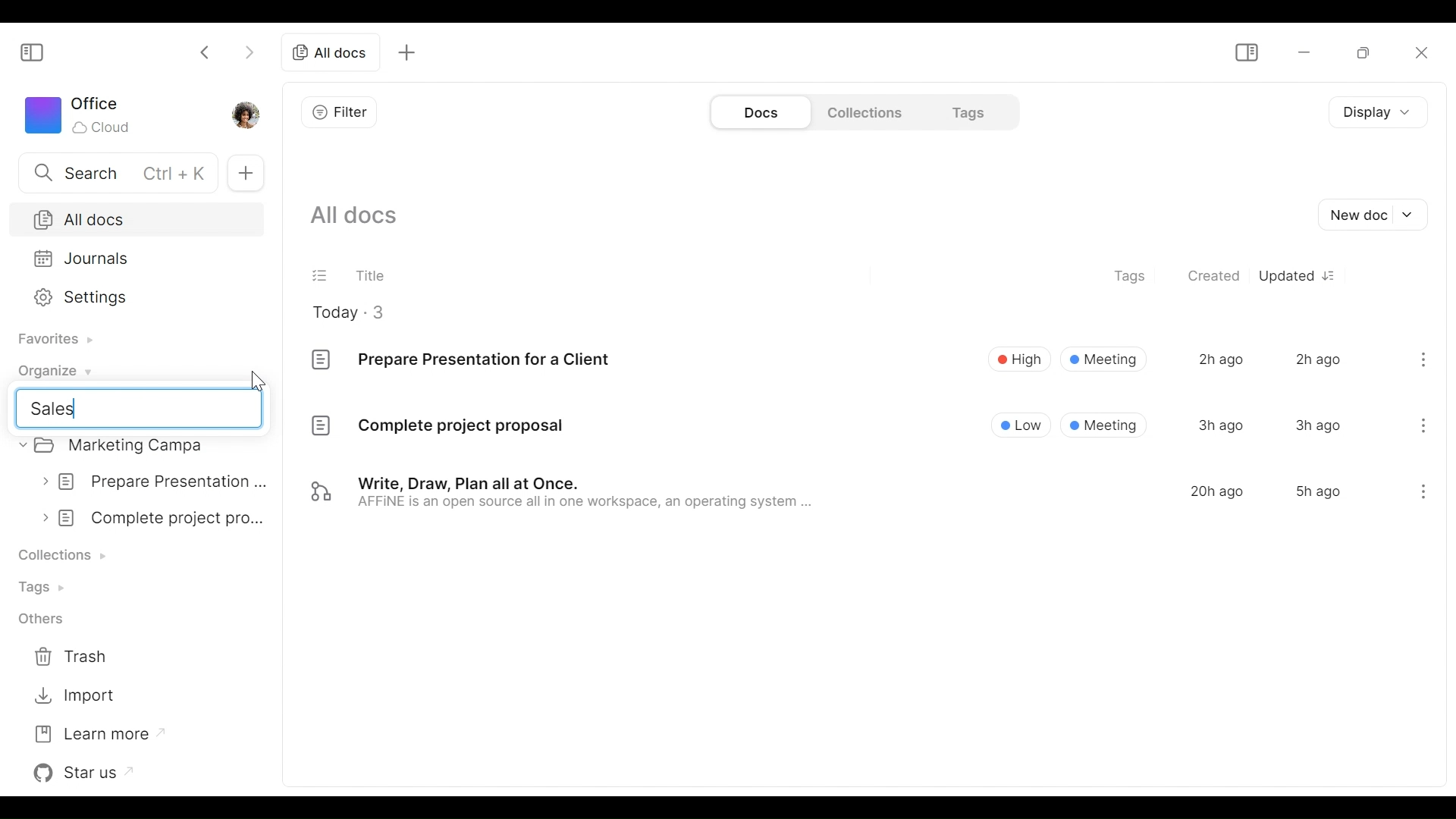 The image size is (1456, 819). What do you see at coordinates (83, 654) in the screenshot?
I see `Trash` at bounding box center [83, 654].